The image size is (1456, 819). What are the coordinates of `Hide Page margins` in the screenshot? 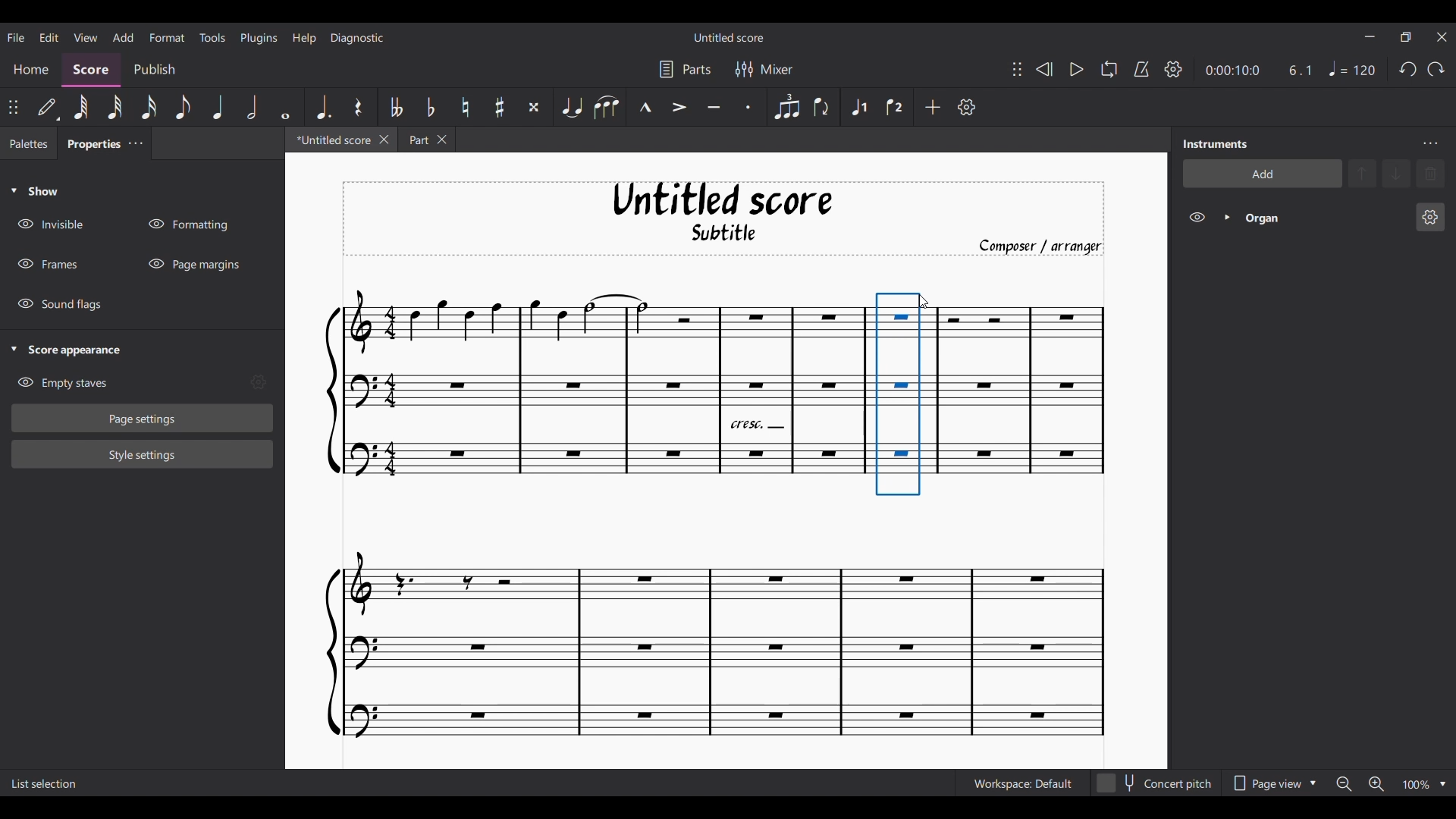 It's located at (193, 264).